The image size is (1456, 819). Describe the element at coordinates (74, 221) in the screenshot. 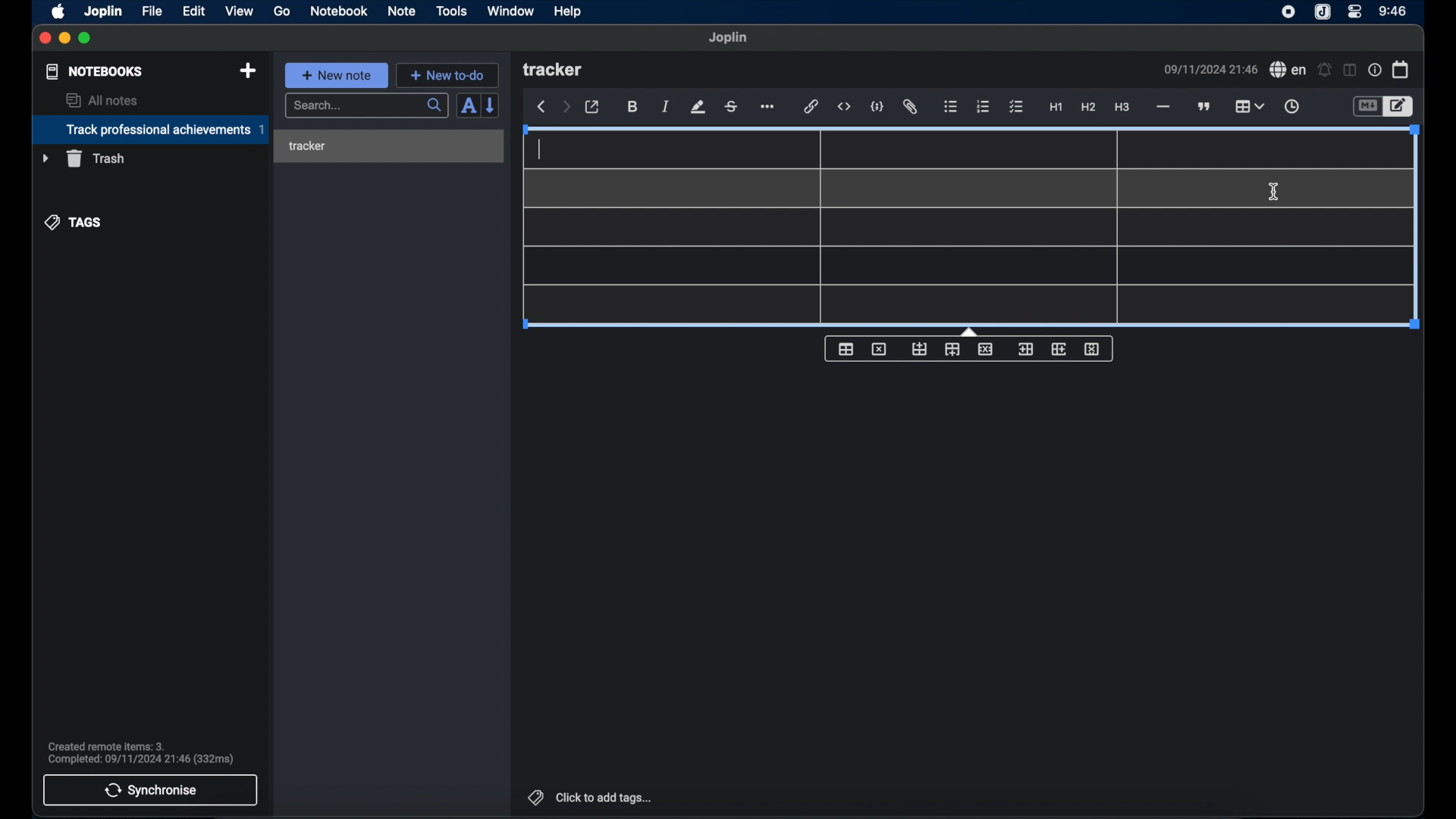

I see `tags` at that location.